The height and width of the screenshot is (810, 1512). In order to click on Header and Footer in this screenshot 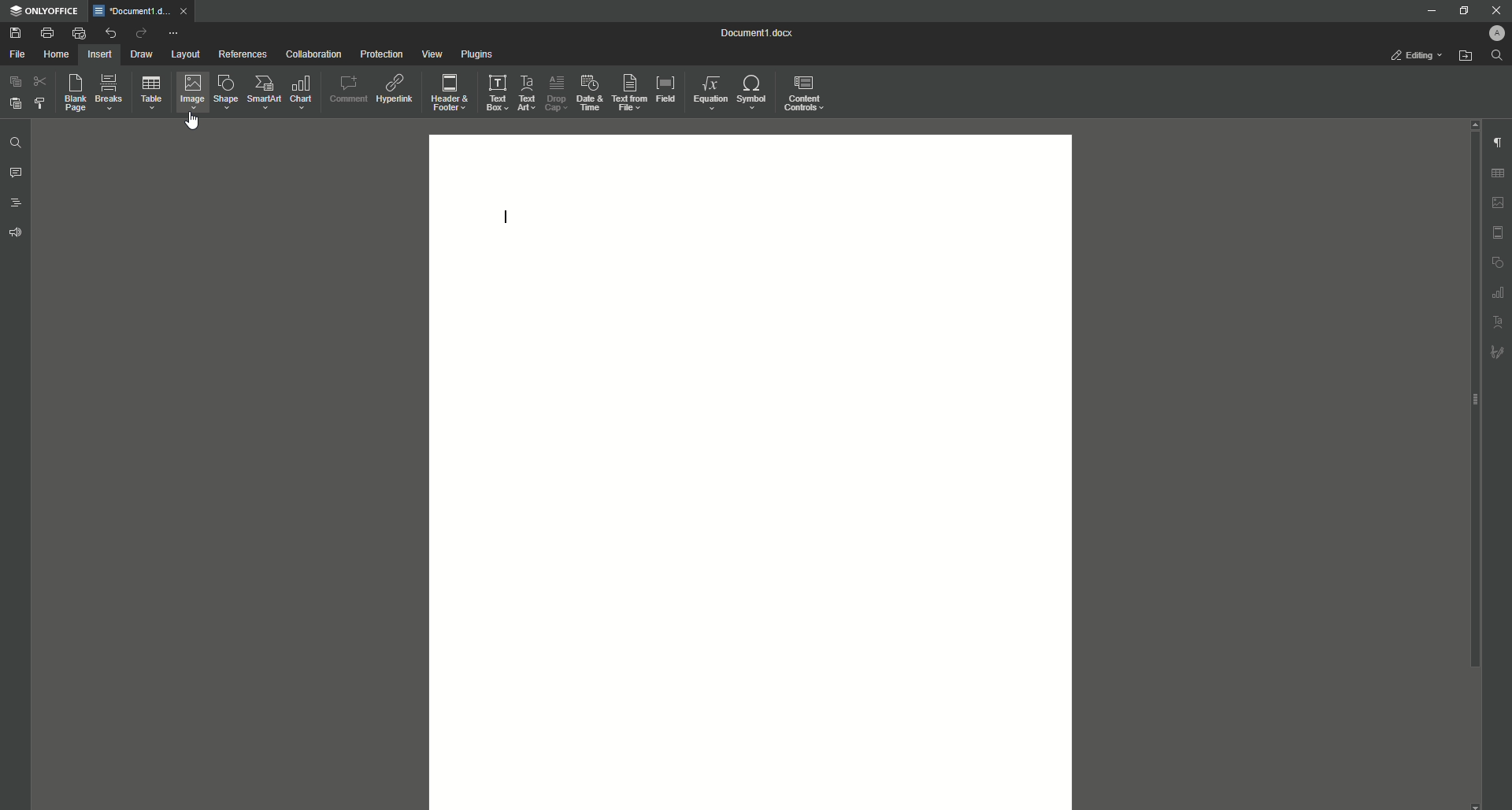, I will do `click(450, 92)`.